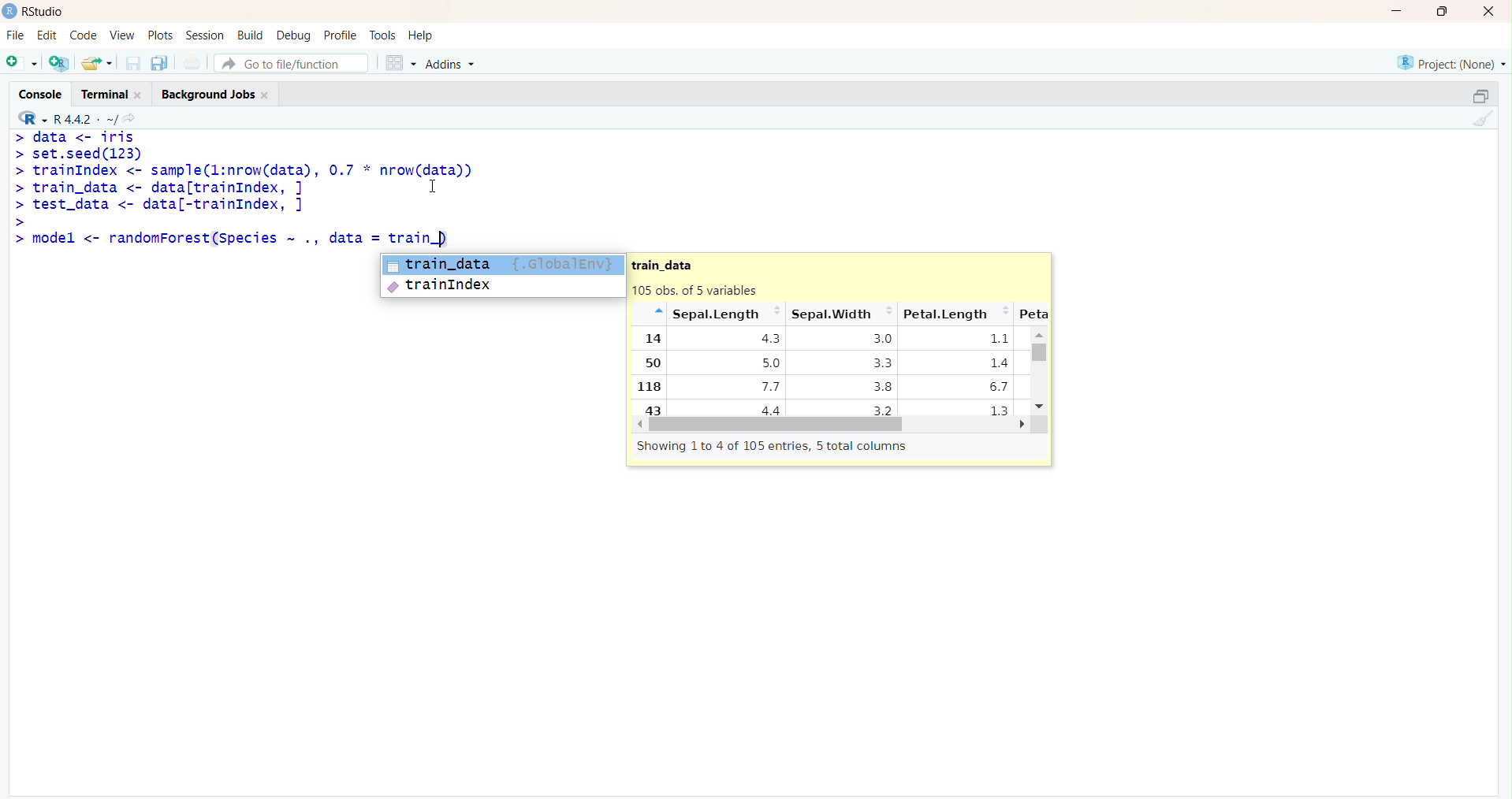 Image resolution: width=1512 pixels, height=799 pixels. I want to click on Scrollbar, so click(1041, 359).